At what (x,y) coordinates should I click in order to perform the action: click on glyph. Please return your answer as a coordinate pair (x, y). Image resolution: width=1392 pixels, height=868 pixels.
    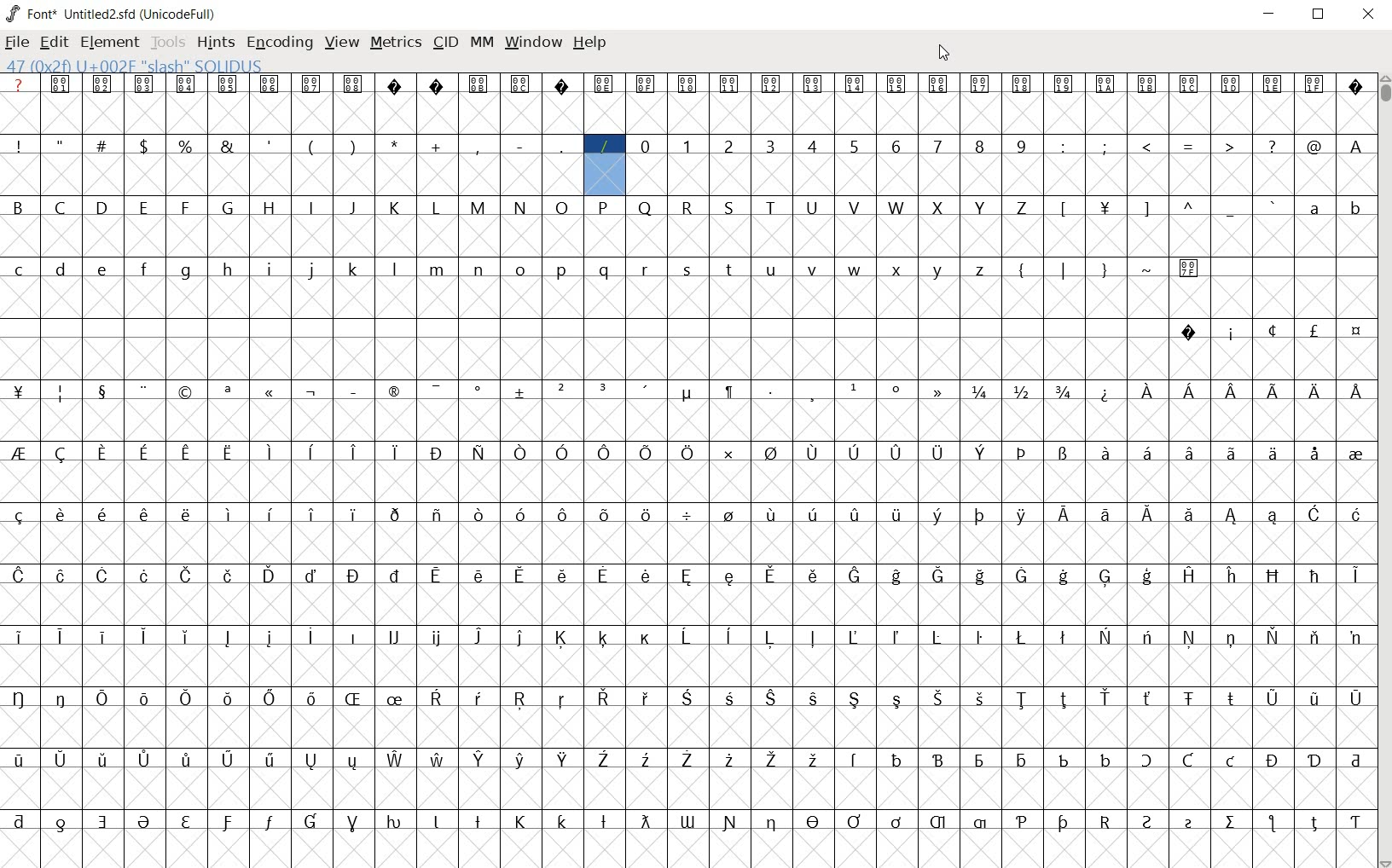
    Looking at the image, I should click on (228, 84).